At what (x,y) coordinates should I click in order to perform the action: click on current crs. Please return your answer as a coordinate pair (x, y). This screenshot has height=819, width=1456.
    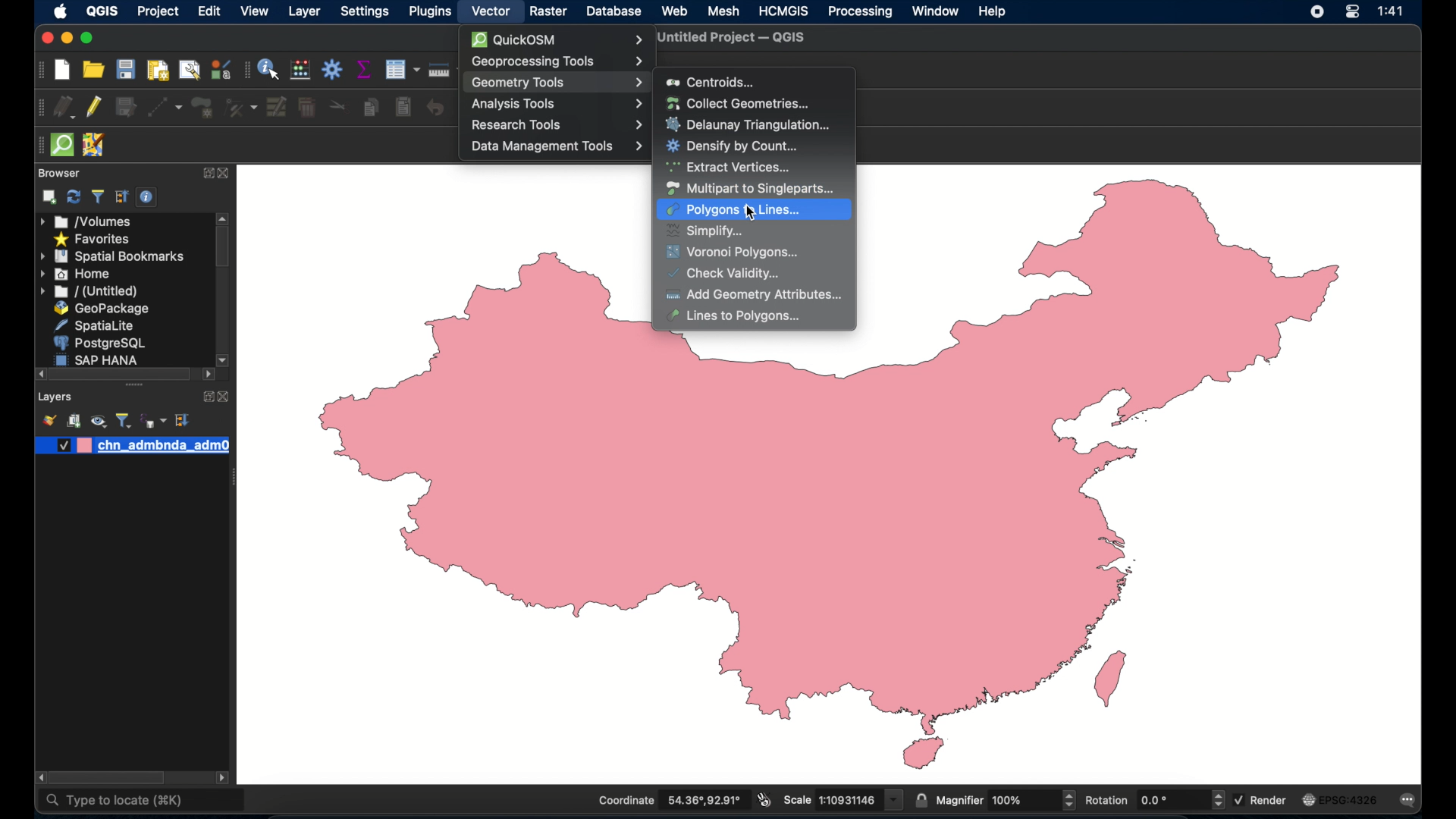
    Looking at the image, I should click on (1342, 799).